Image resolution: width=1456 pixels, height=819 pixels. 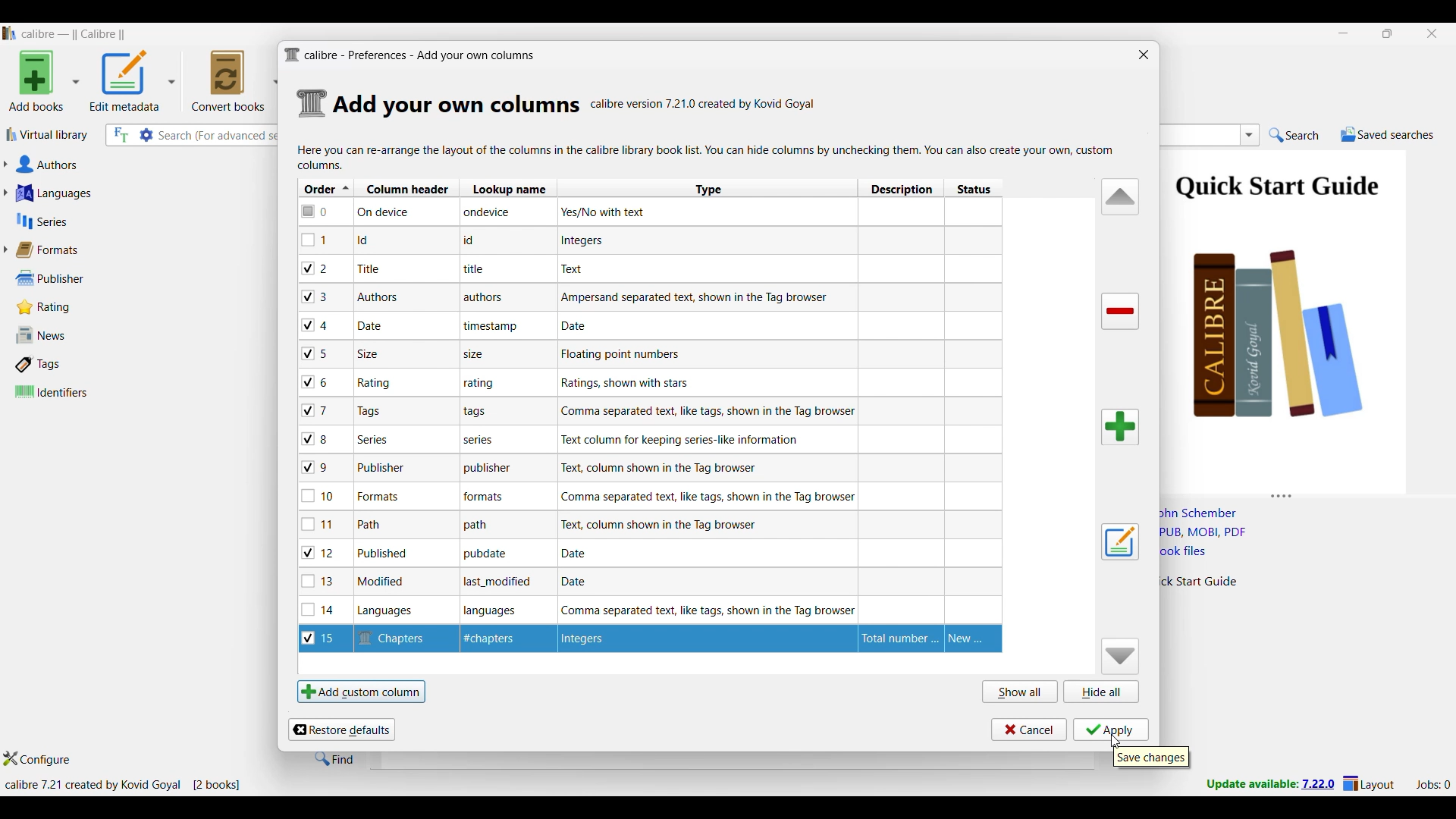 I want to click on Convert books options, so click(x=235, y=80).